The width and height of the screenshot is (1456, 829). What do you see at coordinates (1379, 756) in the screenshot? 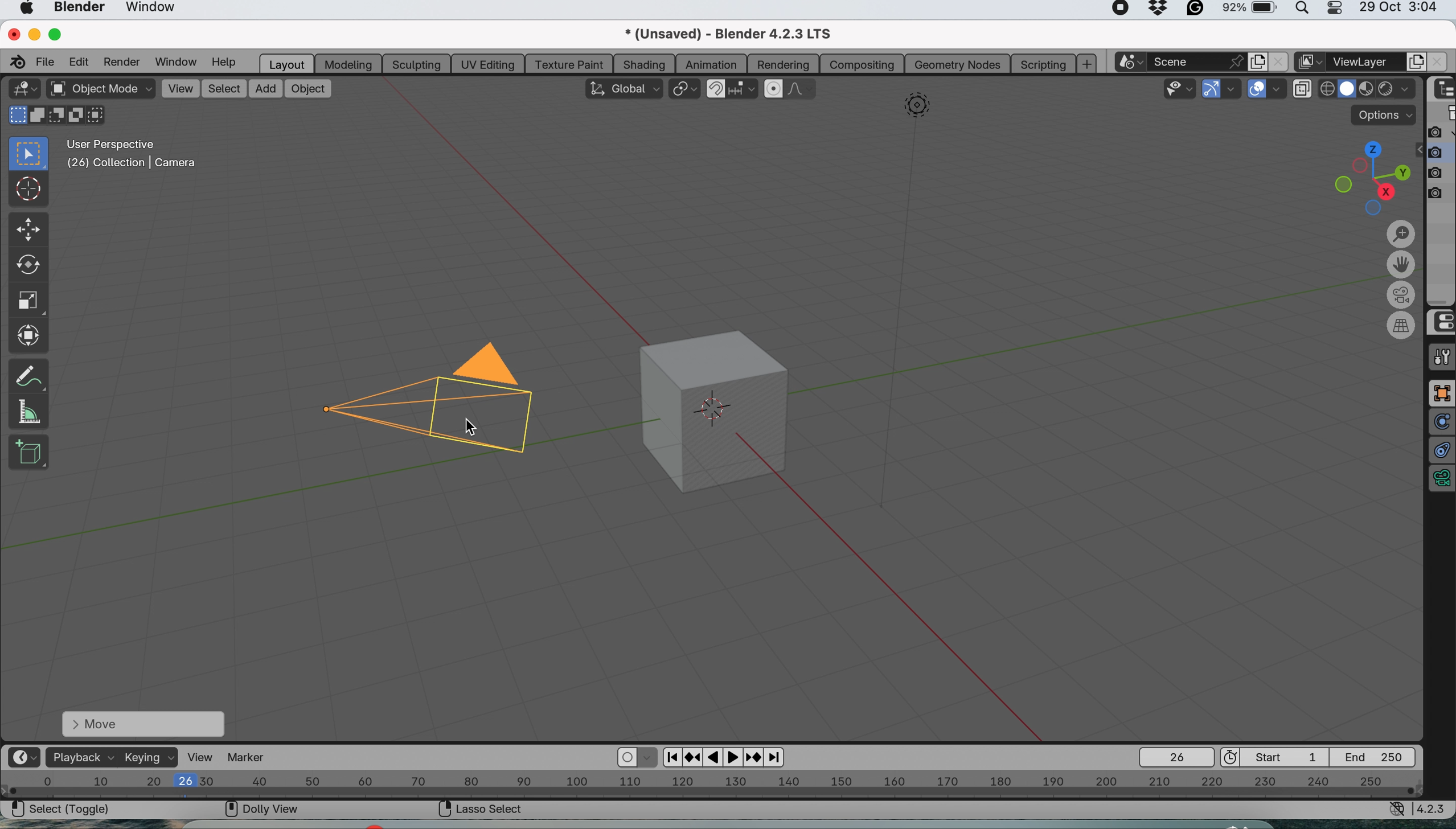
I see `final frame` at bounding box center [1379, 756].